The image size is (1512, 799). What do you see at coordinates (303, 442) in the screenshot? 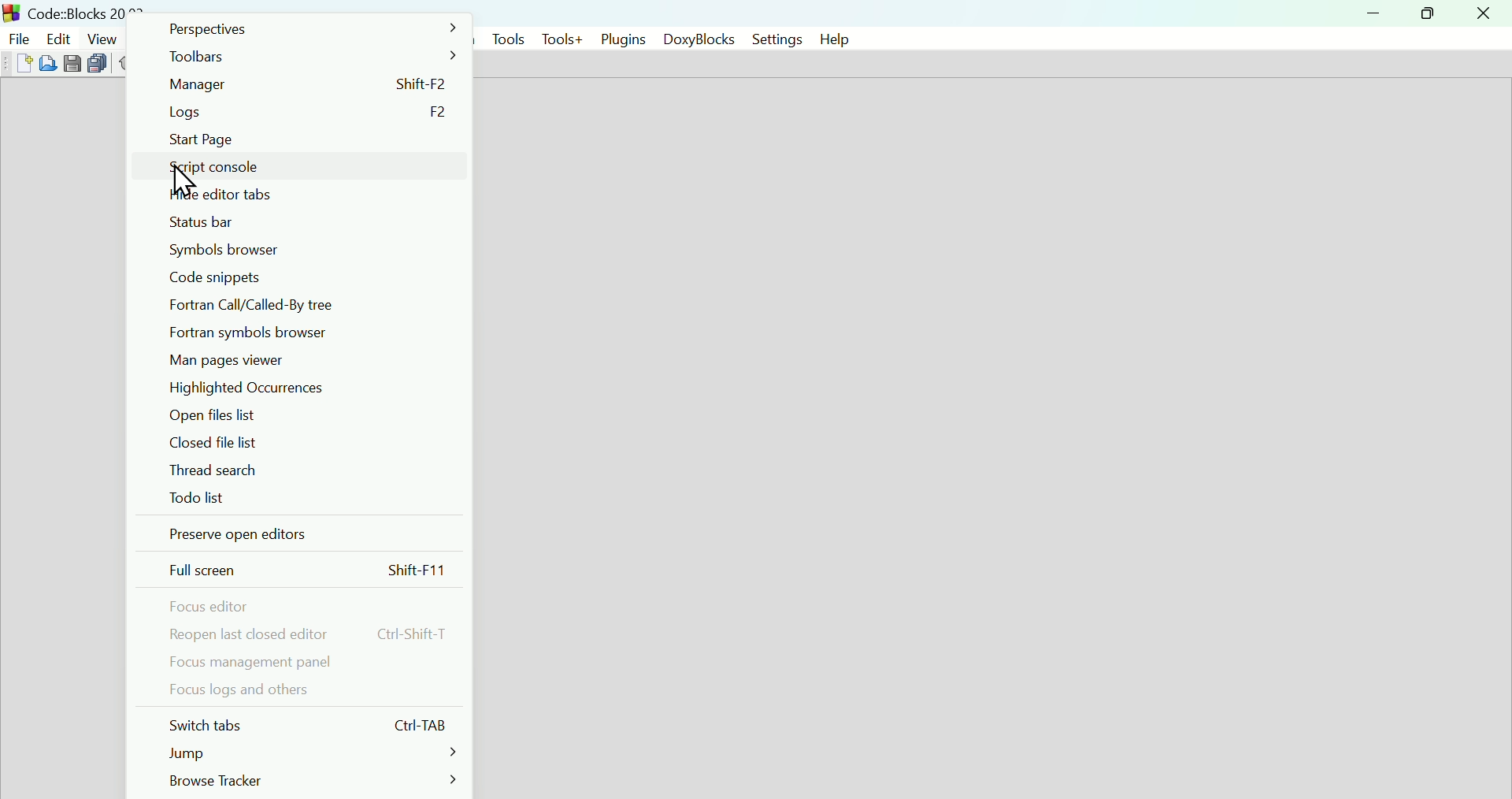
I see `Closed file list` at bounding box center [303, 442].